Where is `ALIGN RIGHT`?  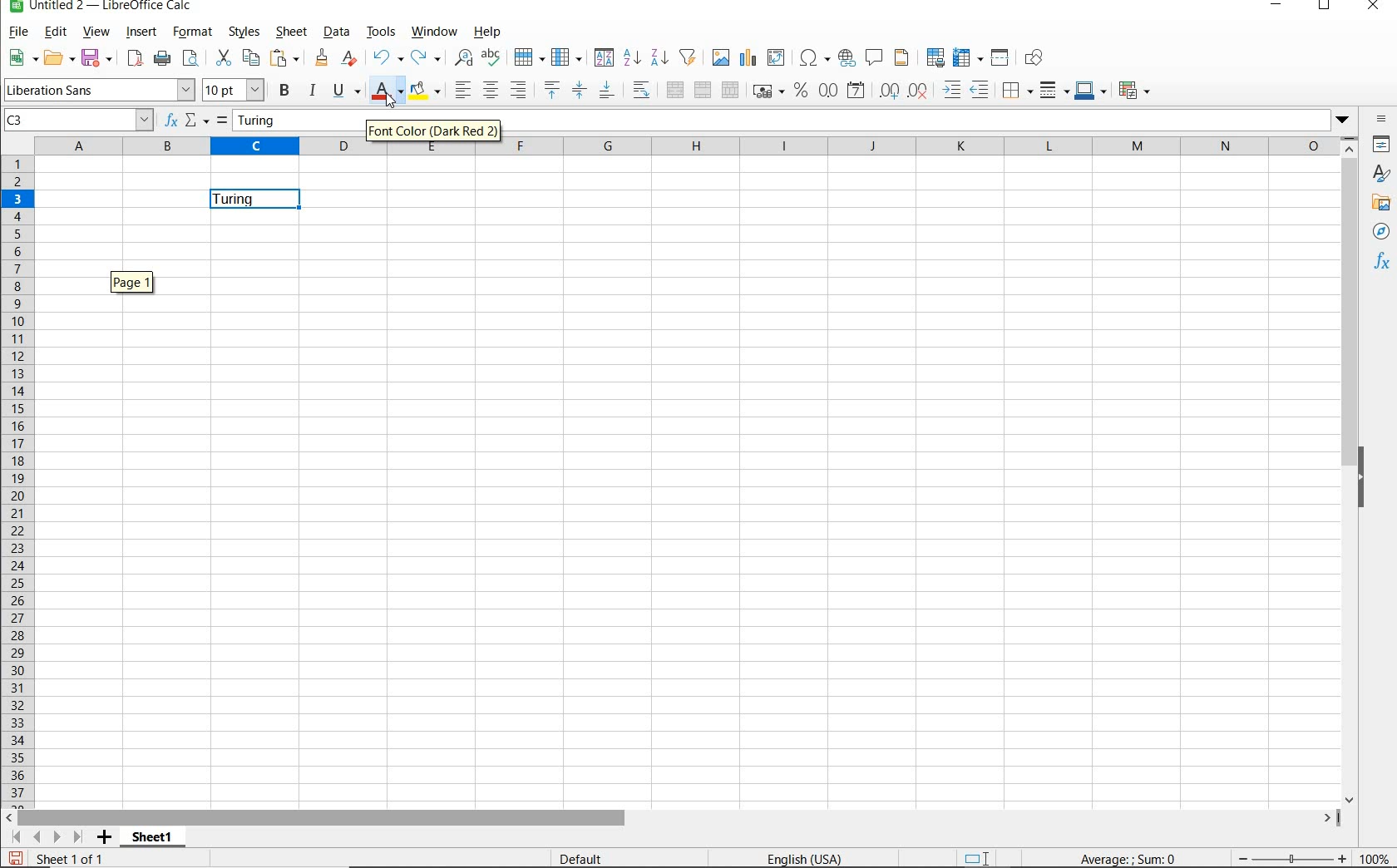 ALIGN RIGHT is located at coordinates (519, 91).